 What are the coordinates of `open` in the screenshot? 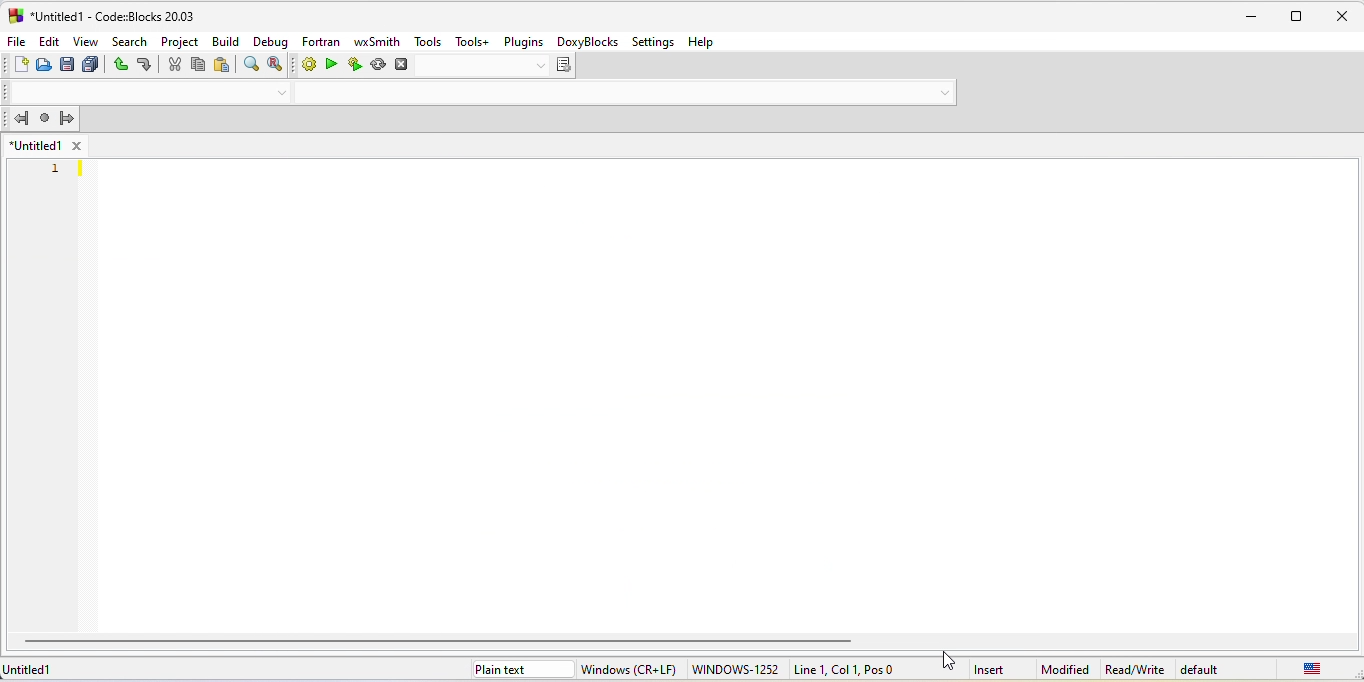 It's located at (43, 65).